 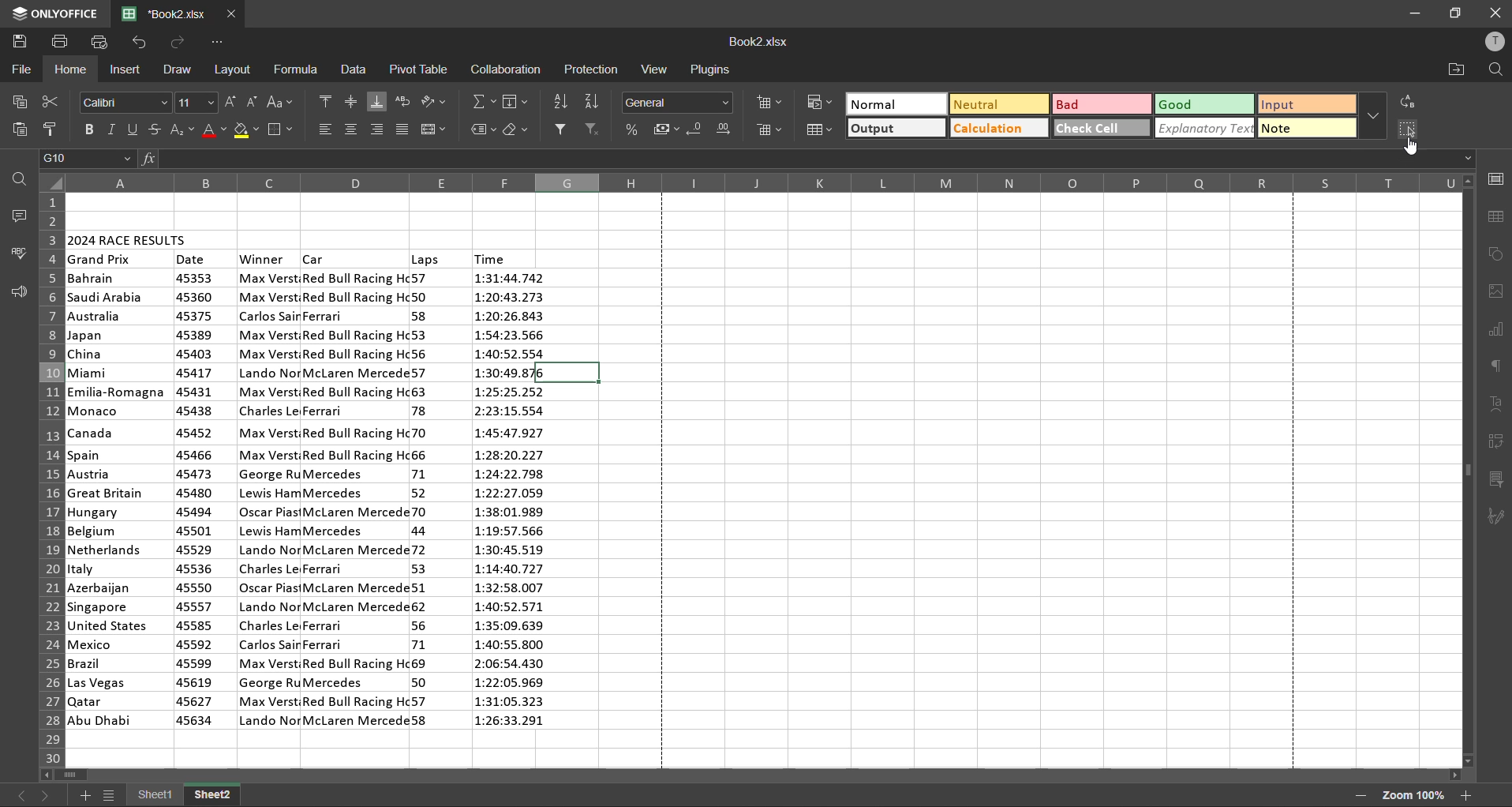 I want to click on cursor, so click(x=1412, y=146).